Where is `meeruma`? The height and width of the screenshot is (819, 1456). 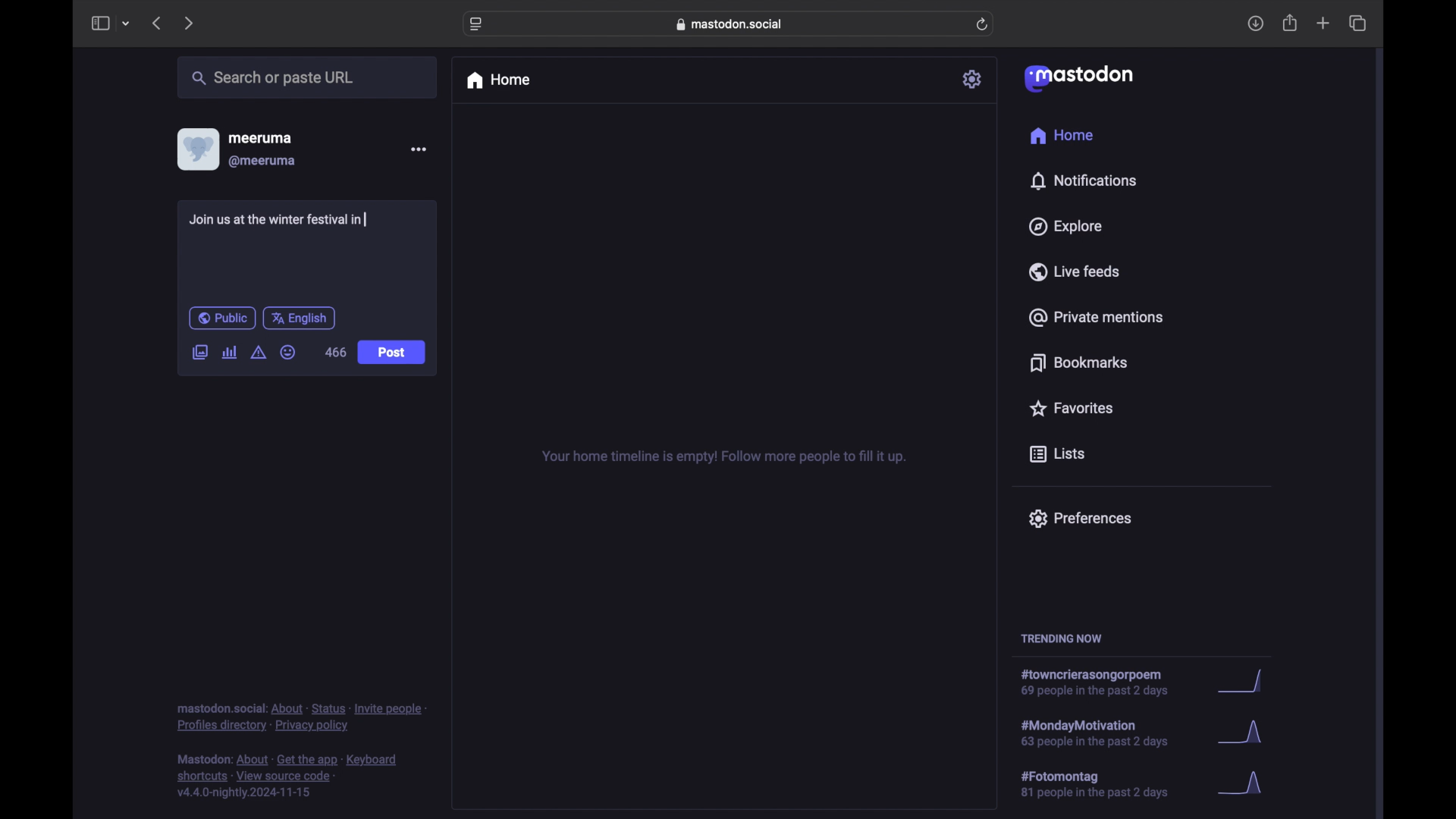
meeruma is located at coordinates (260, 137).